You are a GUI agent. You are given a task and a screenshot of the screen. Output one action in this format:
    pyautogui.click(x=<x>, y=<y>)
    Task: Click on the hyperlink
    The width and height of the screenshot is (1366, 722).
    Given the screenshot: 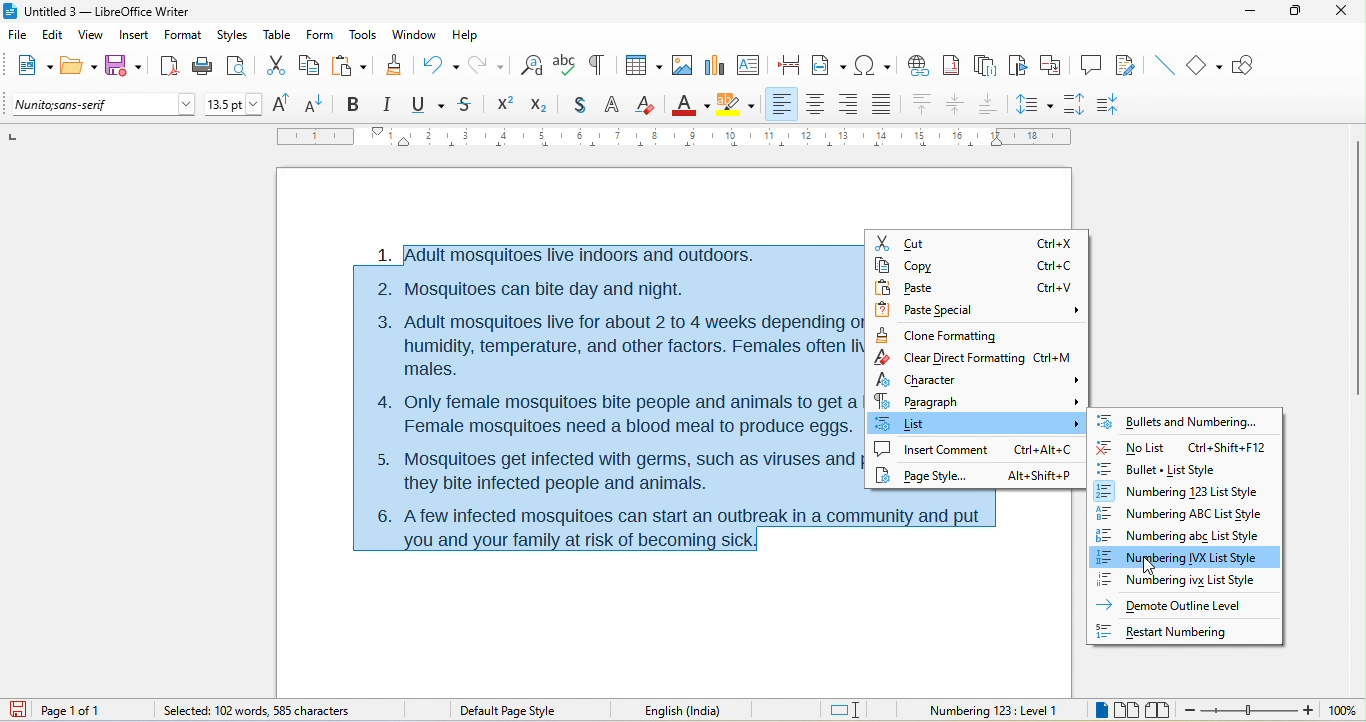 What is the action you would take?
    pyautogui.click(x=921, y=64)
    